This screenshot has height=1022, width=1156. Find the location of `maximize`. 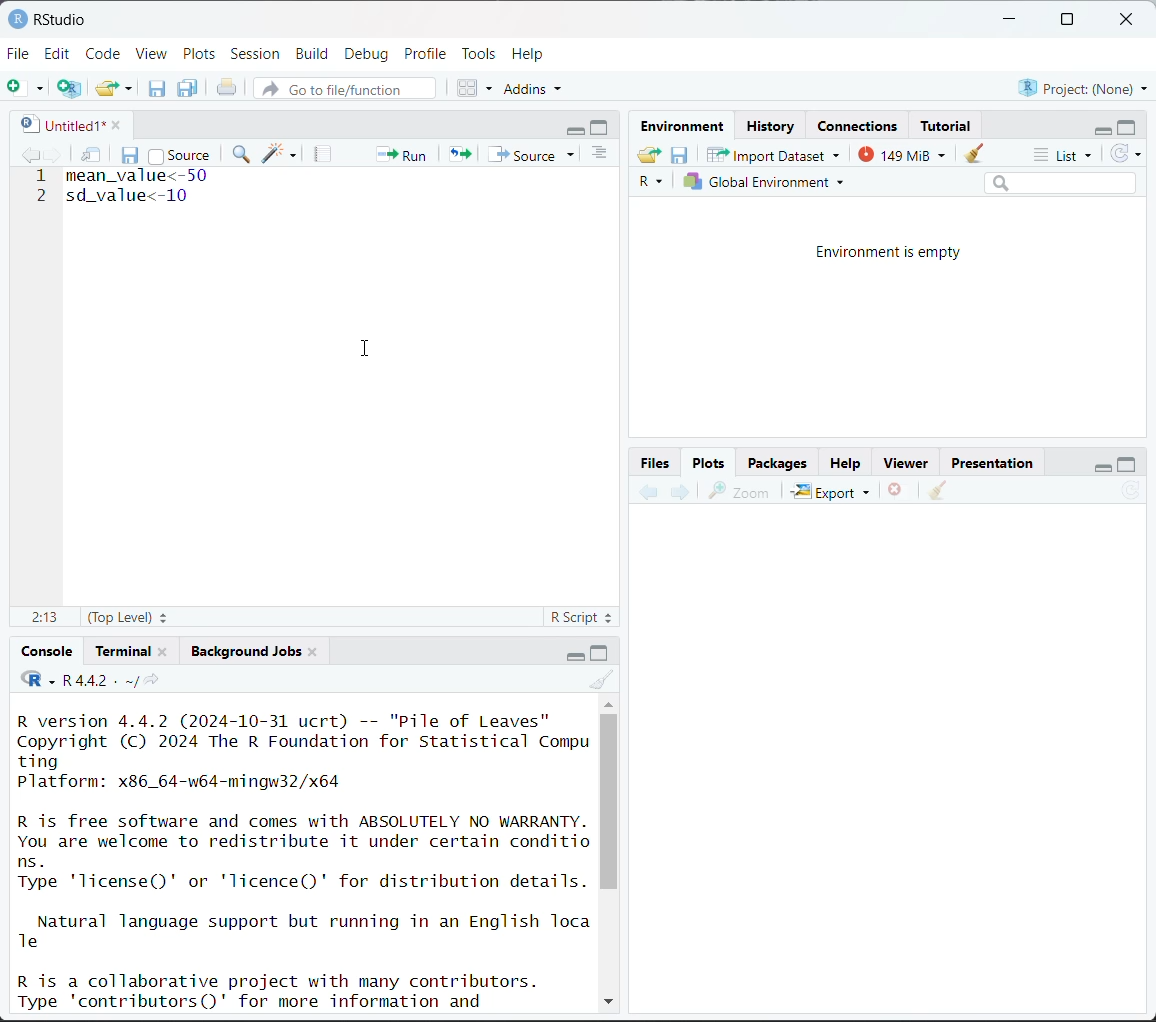

maximize is located at coordinates (1127, 463).